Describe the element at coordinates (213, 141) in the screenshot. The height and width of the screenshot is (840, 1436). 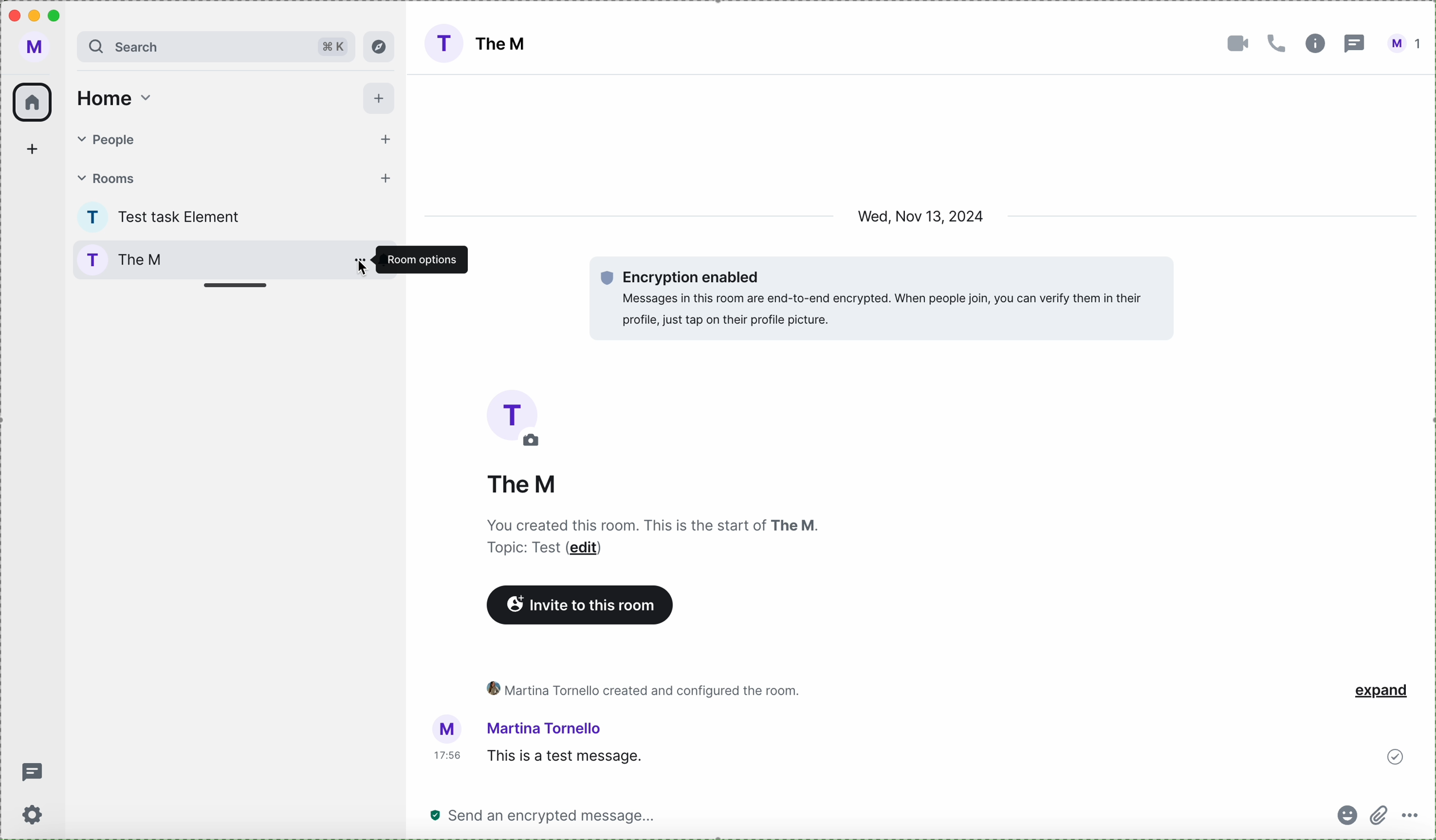
I see `people` at that location.